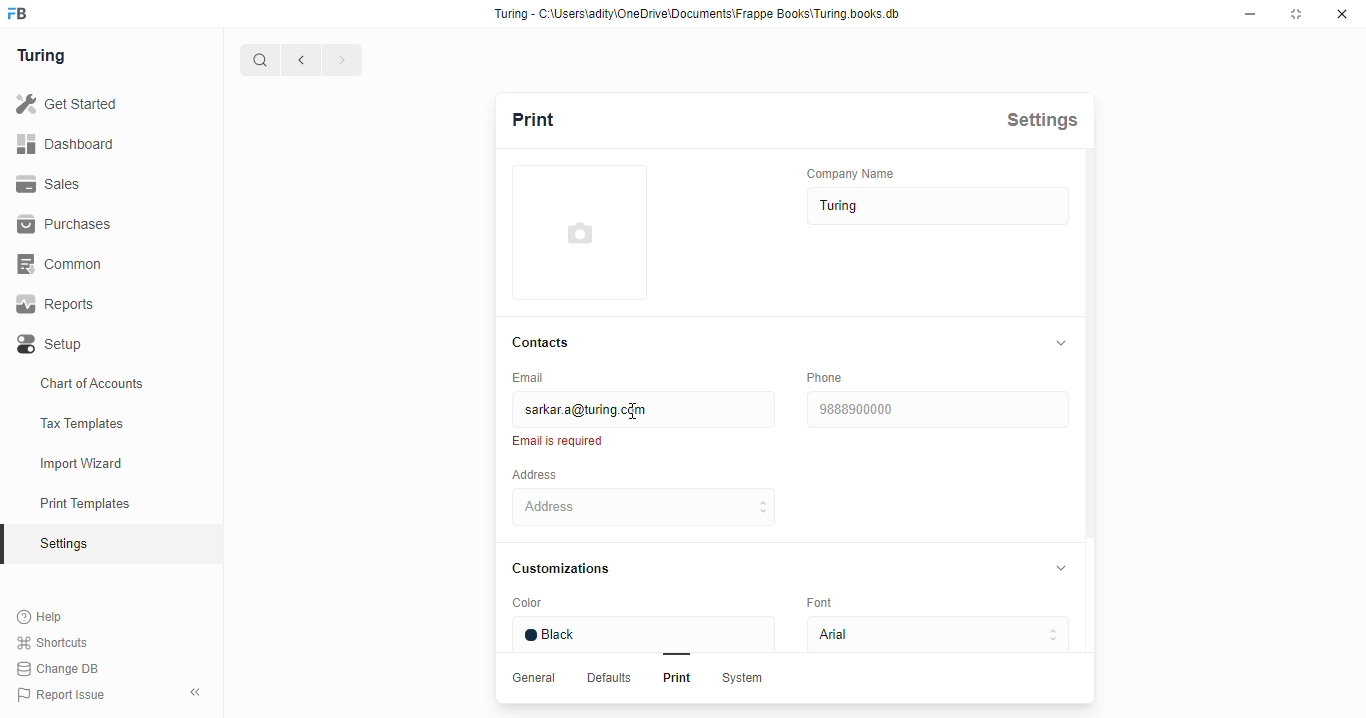  I want to click on ‘Address, so click(548, 474).